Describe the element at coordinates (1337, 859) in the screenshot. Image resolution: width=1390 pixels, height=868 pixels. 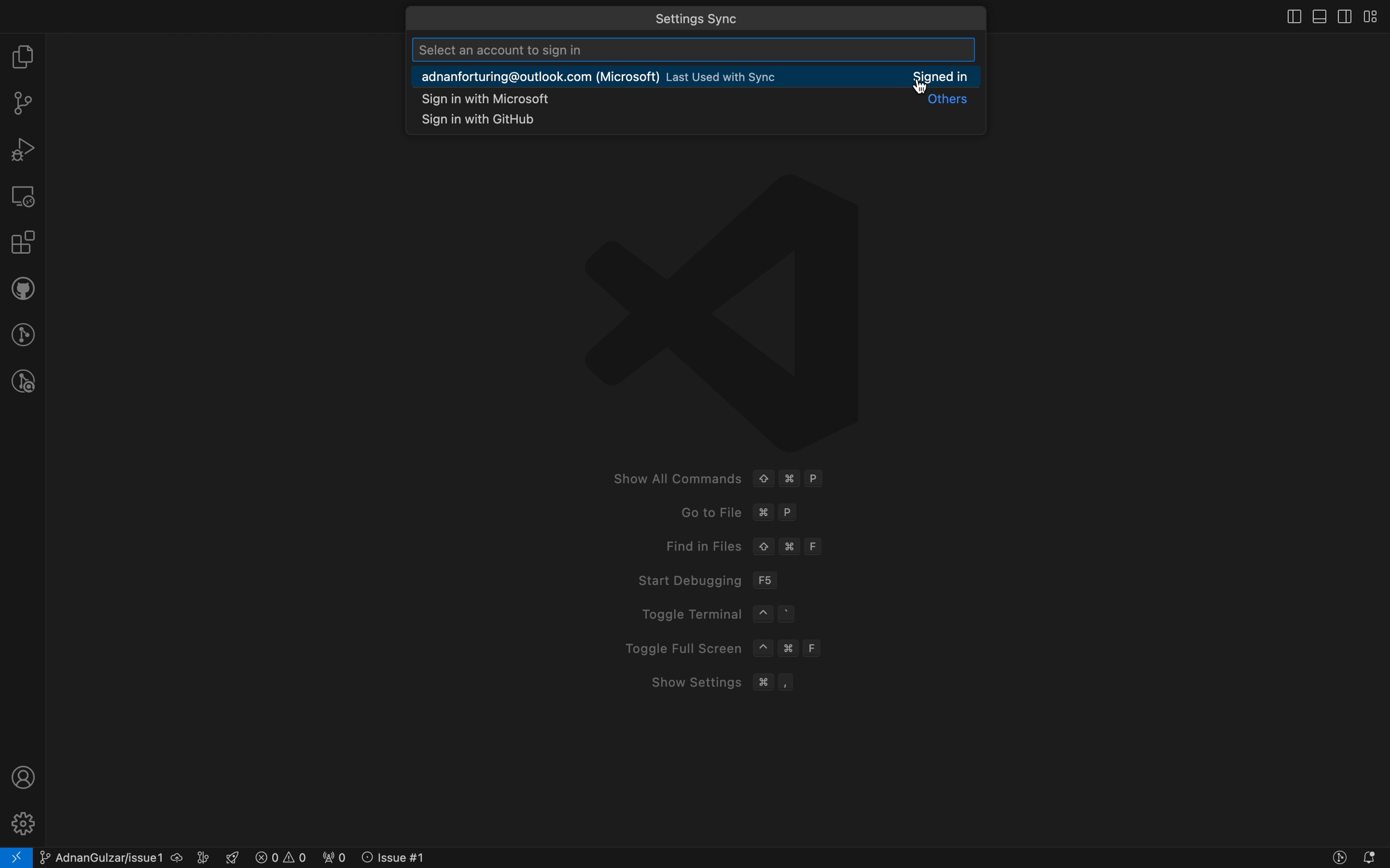
I see `` at that location.